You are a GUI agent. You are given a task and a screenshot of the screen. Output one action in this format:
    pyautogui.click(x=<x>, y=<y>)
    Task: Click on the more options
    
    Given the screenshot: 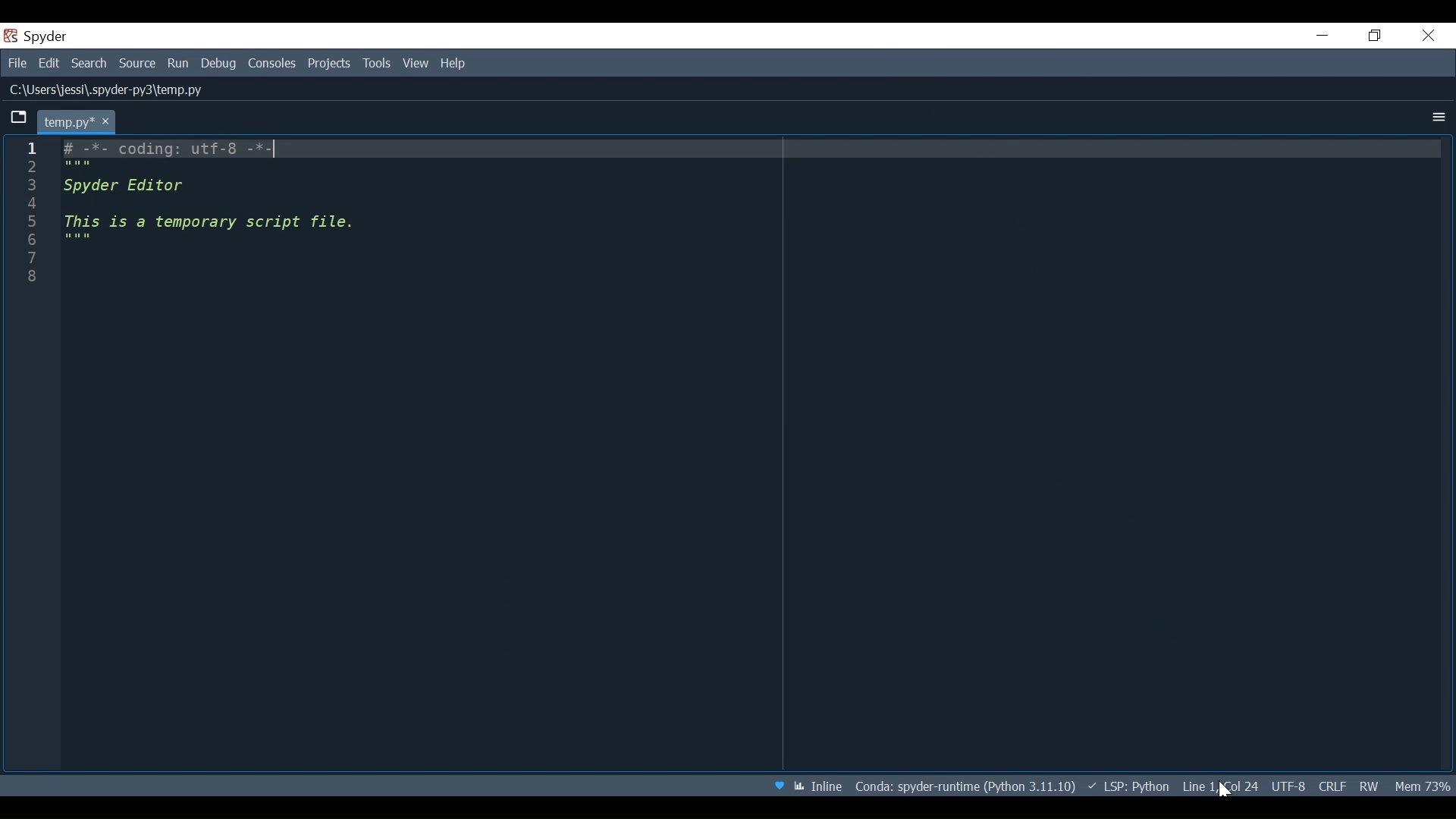 What is the action you would take?
    pyautogui.click(x=1439, y=118)
    